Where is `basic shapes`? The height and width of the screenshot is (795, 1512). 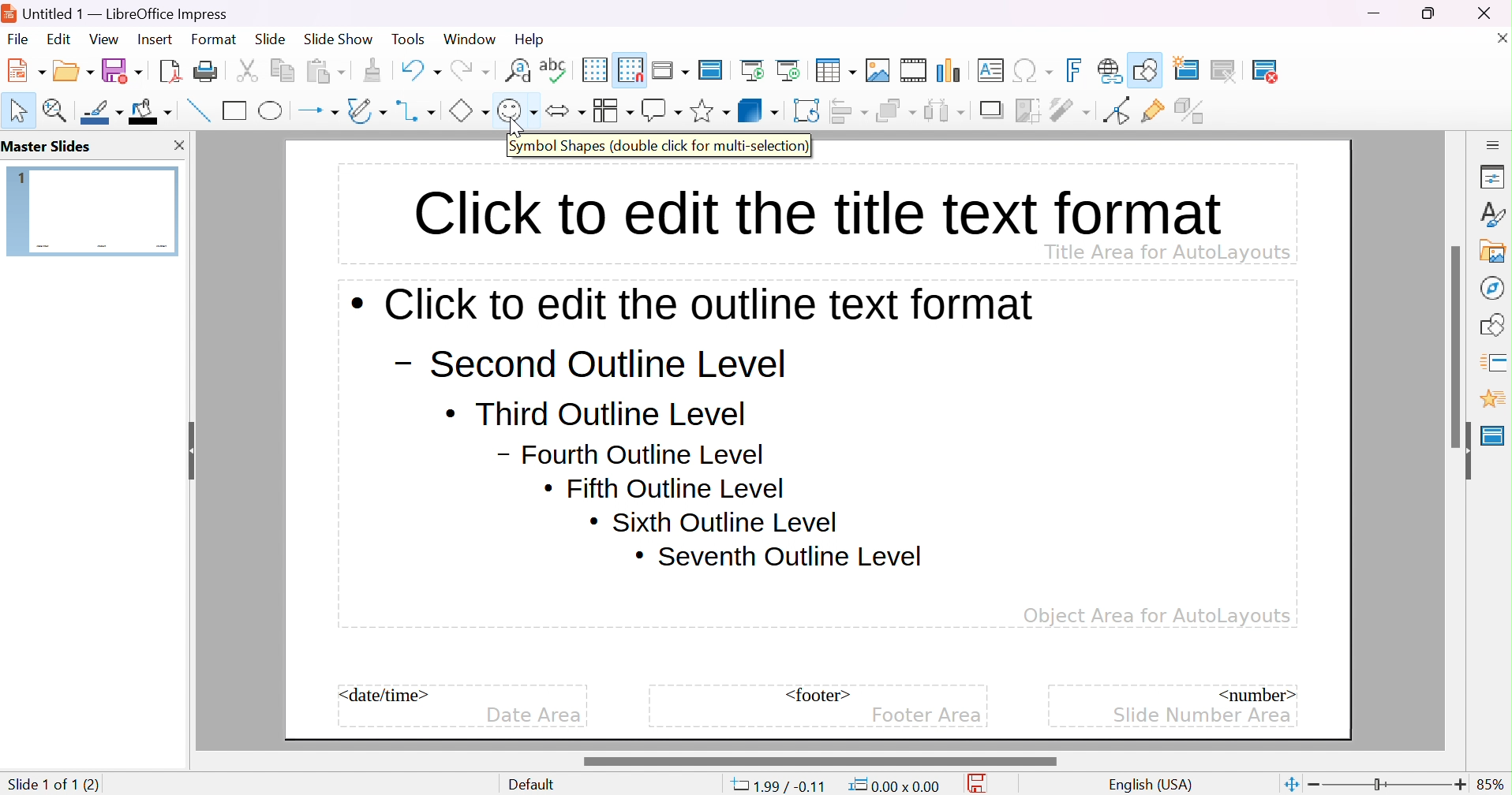 basic shapes is located at coordinates (468, 110).